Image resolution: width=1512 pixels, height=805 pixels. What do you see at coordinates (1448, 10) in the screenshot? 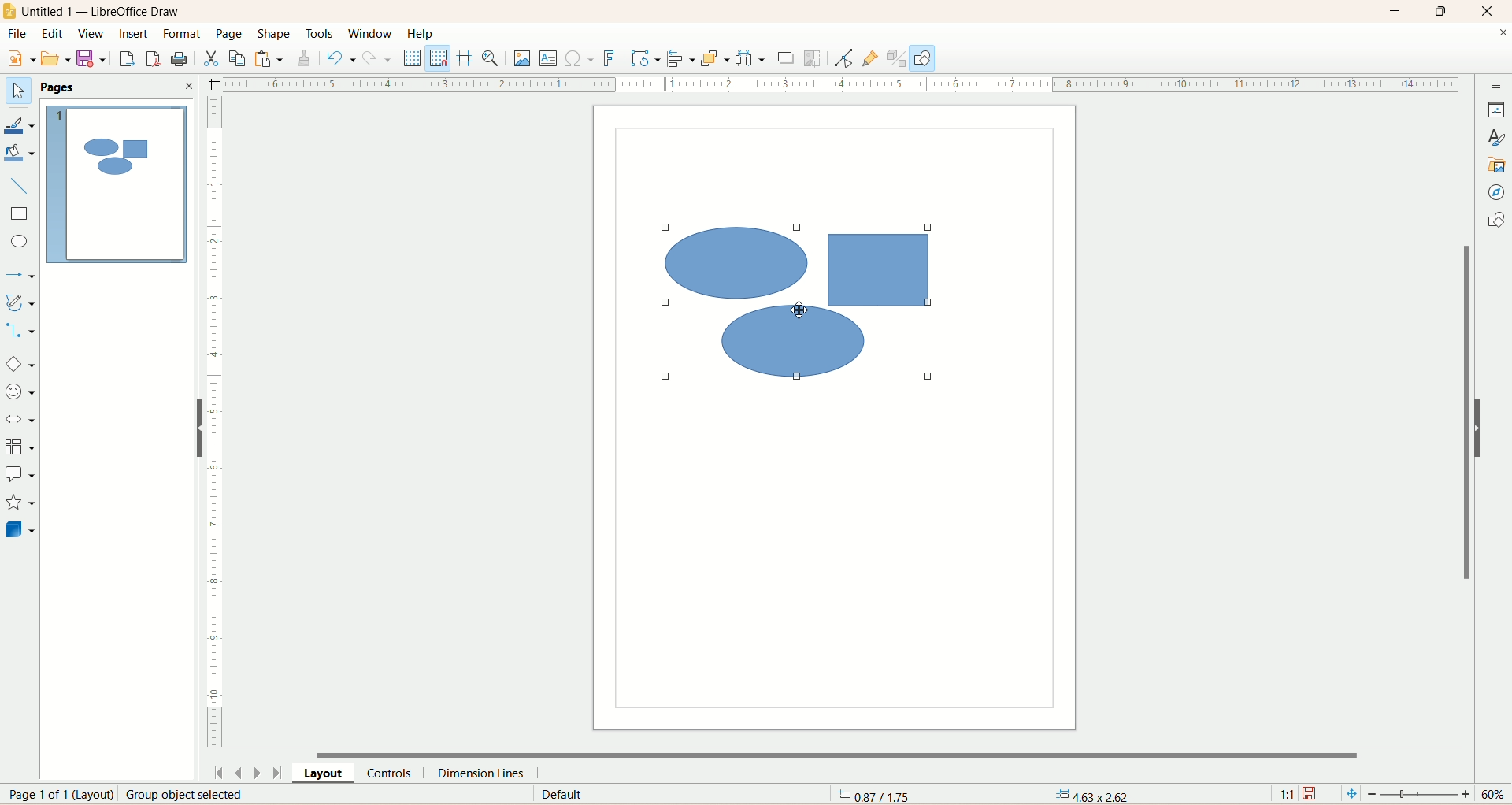
I see `maximize` at bounding box center [1448, 10].